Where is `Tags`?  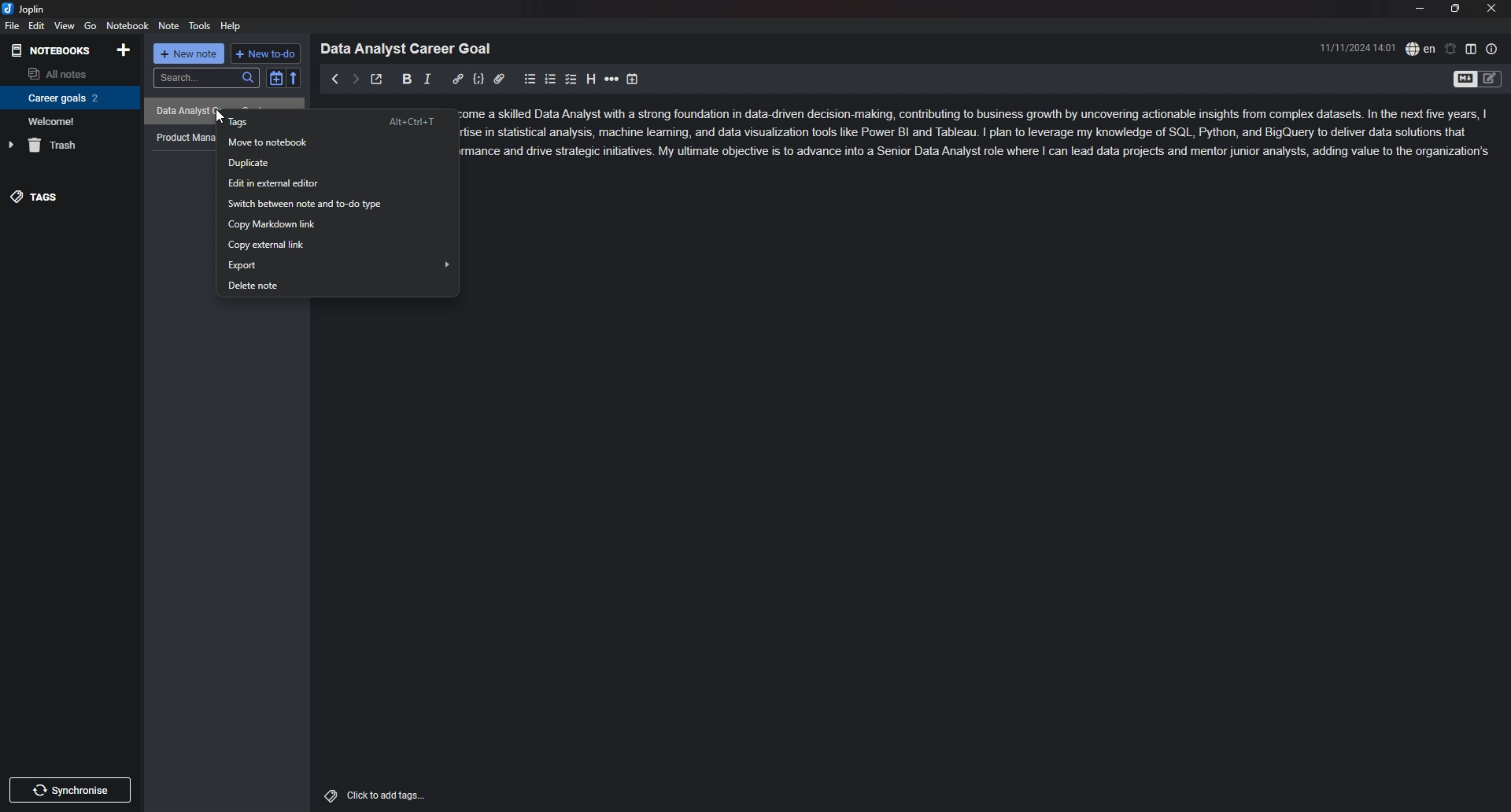
Tags is located at coordinates (327, 794).